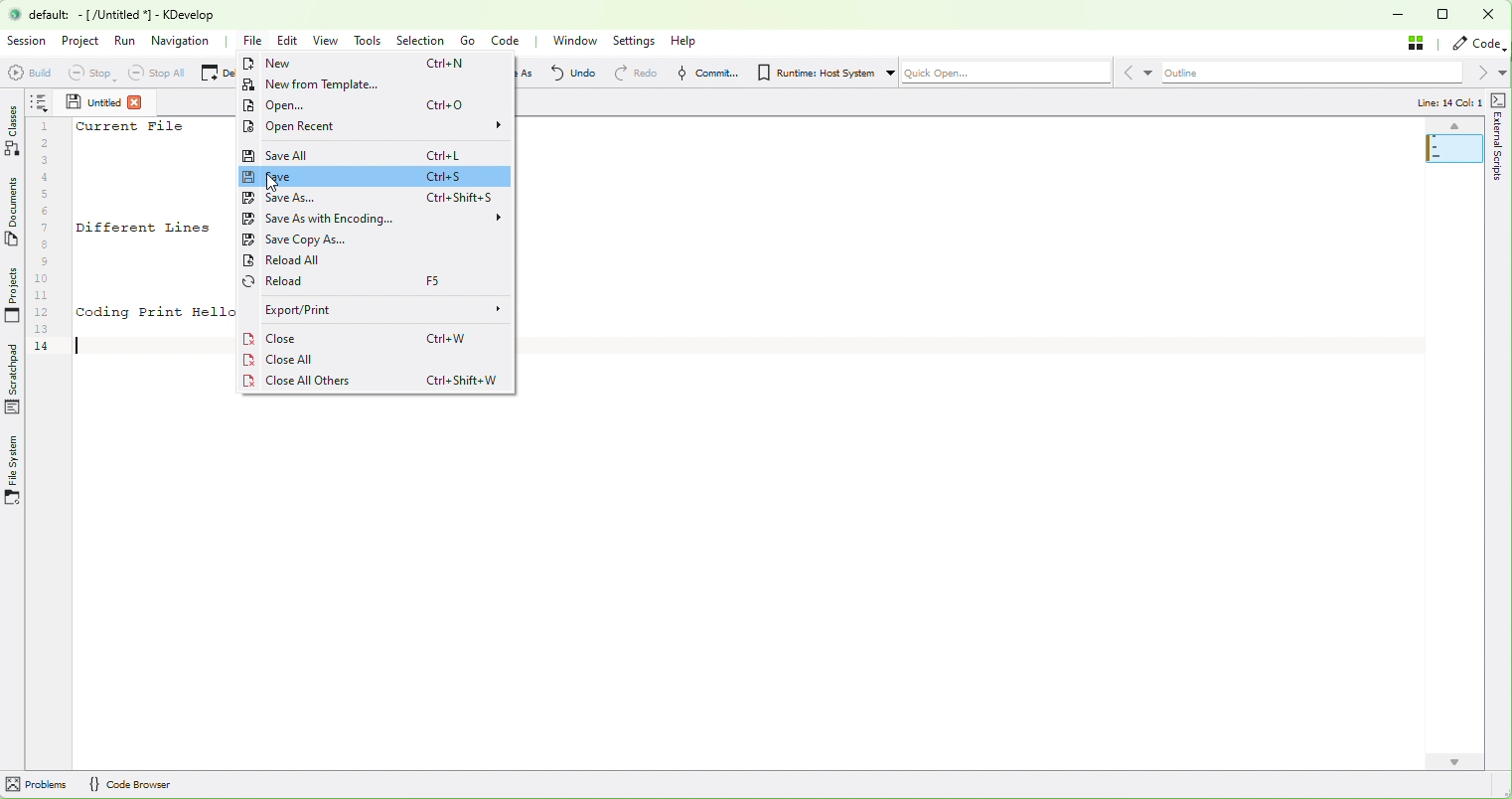  What do you see at coordinates (313, 199) in the screenshot?
I see `Save  as` at bounding box center [313, 199].